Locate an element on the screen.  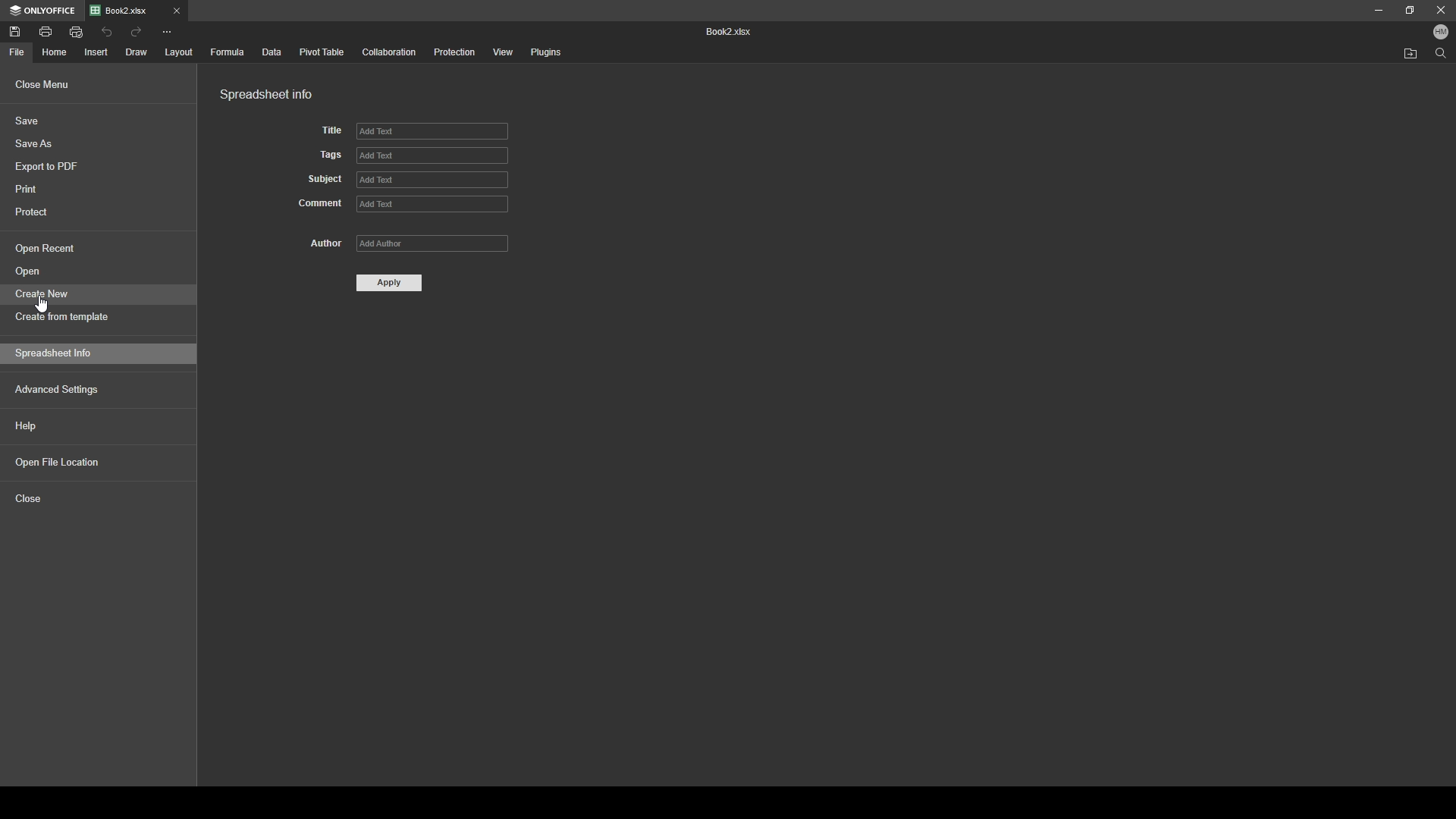
minimize is located at coordinates (1378, 10).